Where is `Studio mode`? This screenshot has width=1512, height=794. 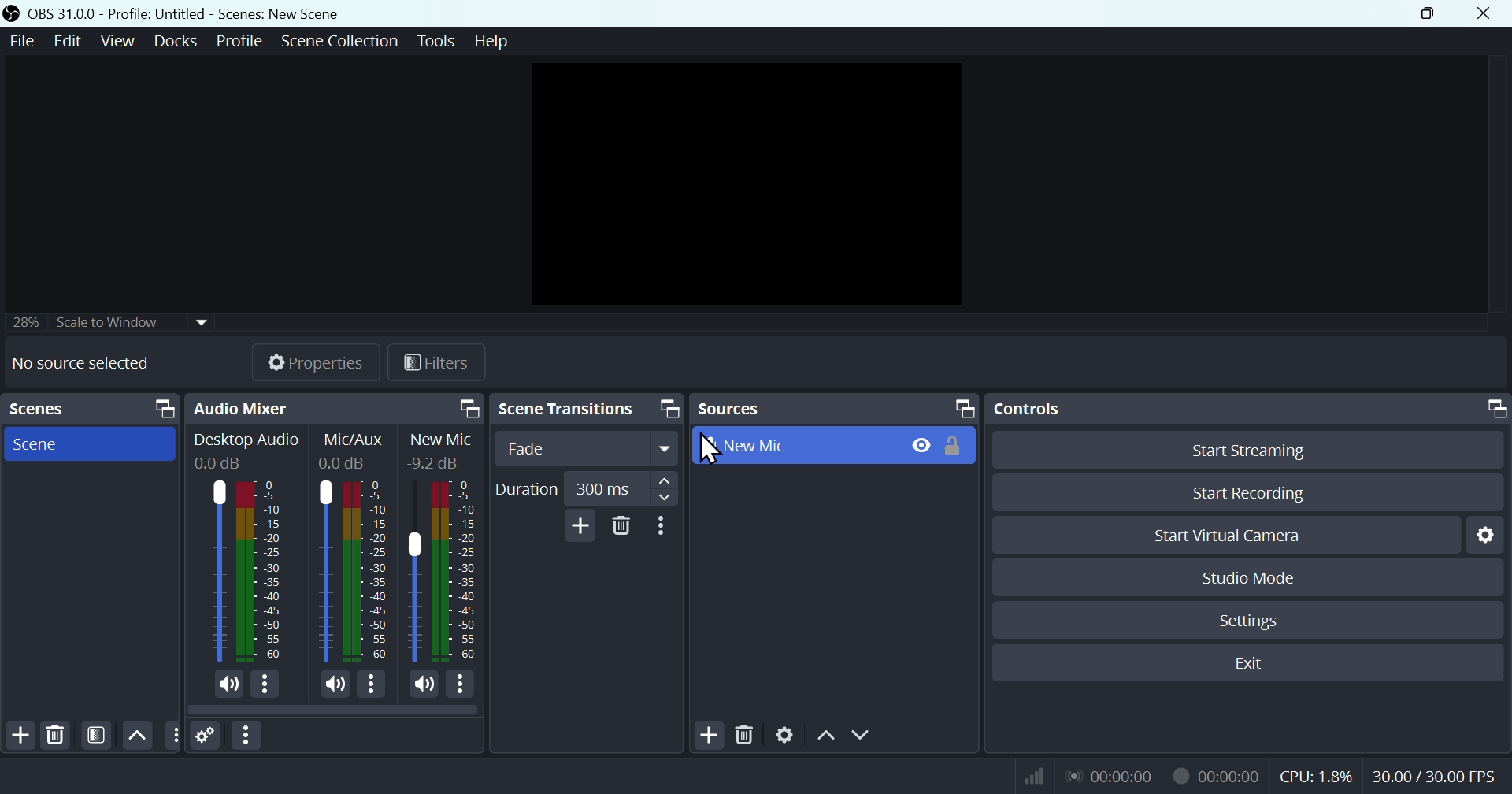 Studio mode is located at coordinates (1266, 580).